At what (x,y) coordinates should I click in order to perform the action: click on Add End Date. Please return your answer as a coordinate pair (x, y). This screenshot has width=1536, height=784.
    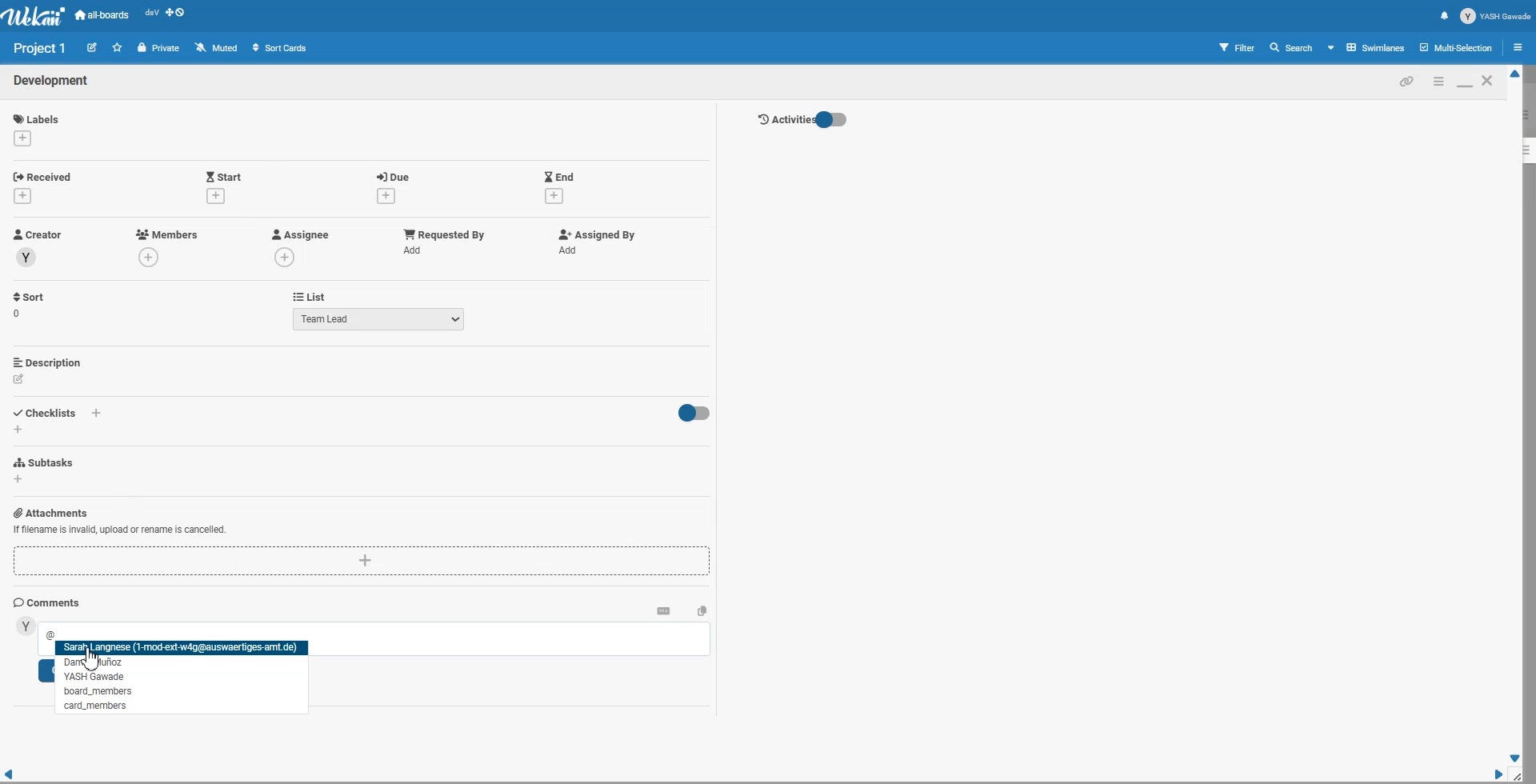
    Looking at the image, I should click on (560, 175).